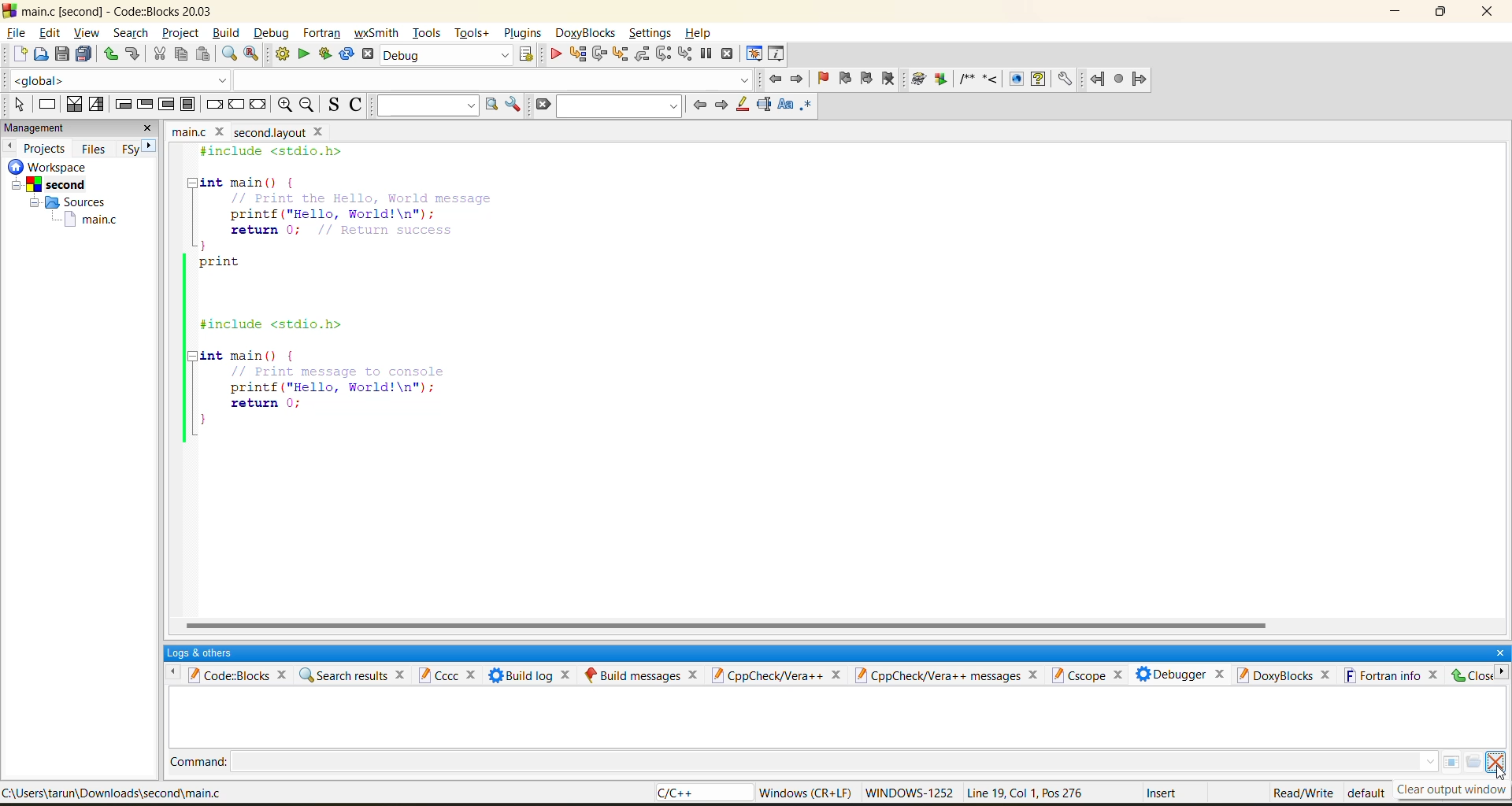  I want to click on build target, so click(448, 54).